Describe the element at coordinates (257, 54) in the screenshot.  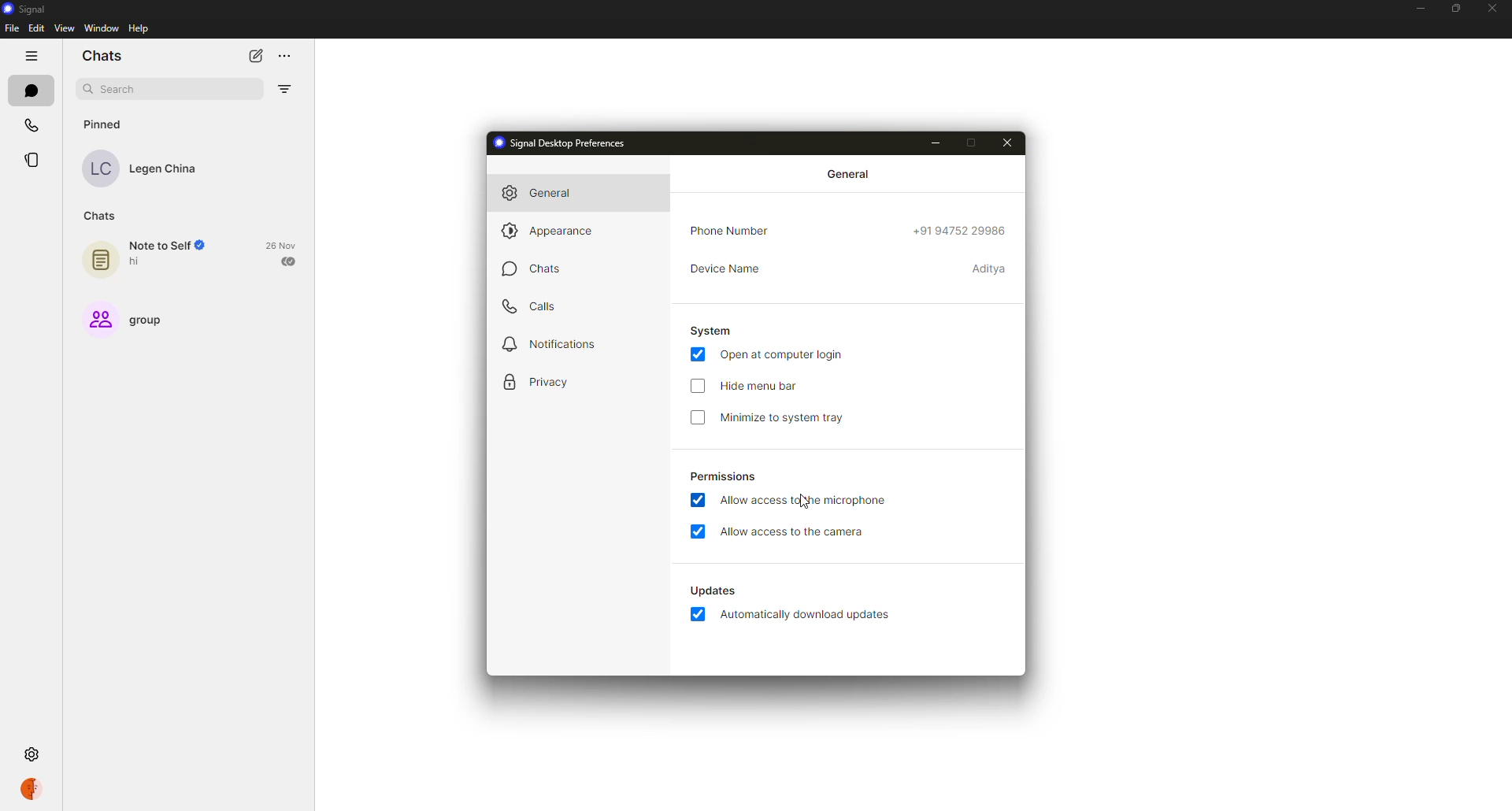
I see `new chat` at that location.